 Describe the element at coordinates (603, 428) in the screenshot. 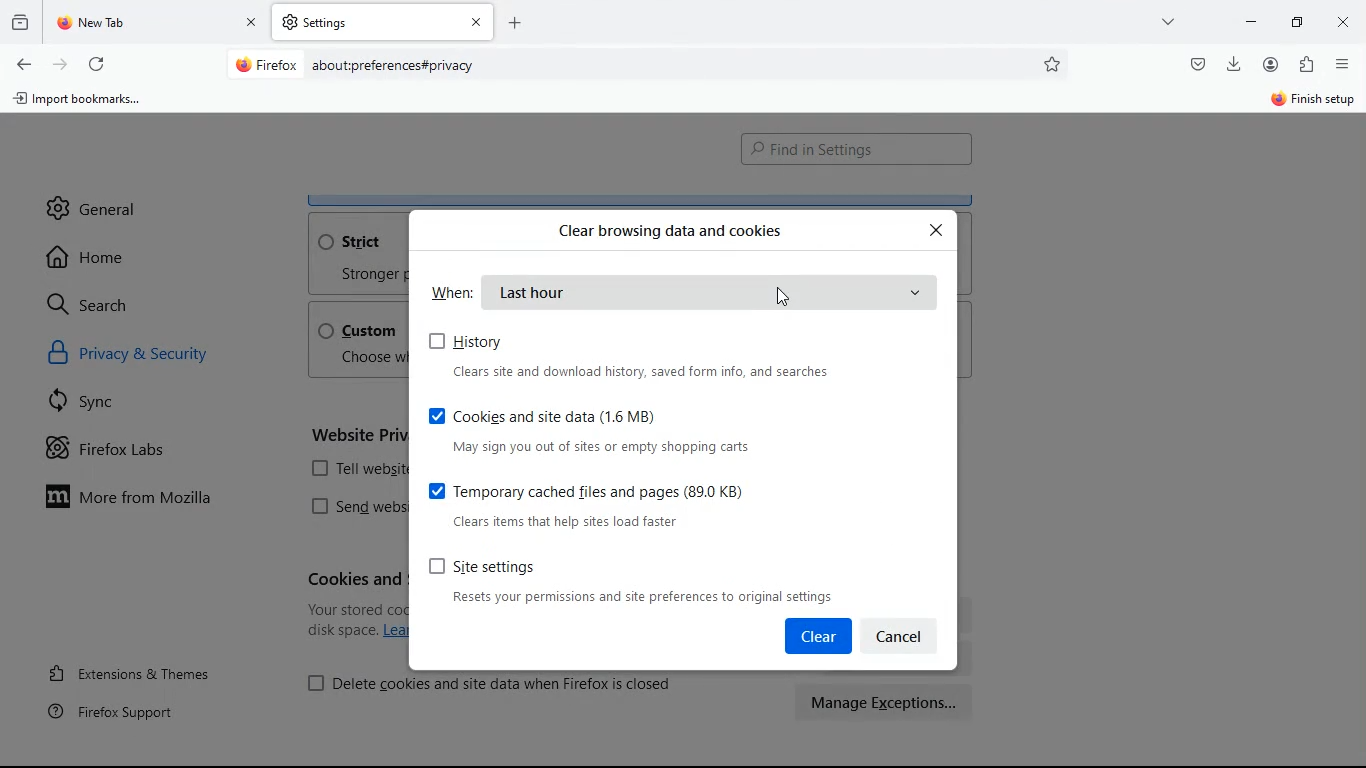

I see `cookies and site data` at that location.